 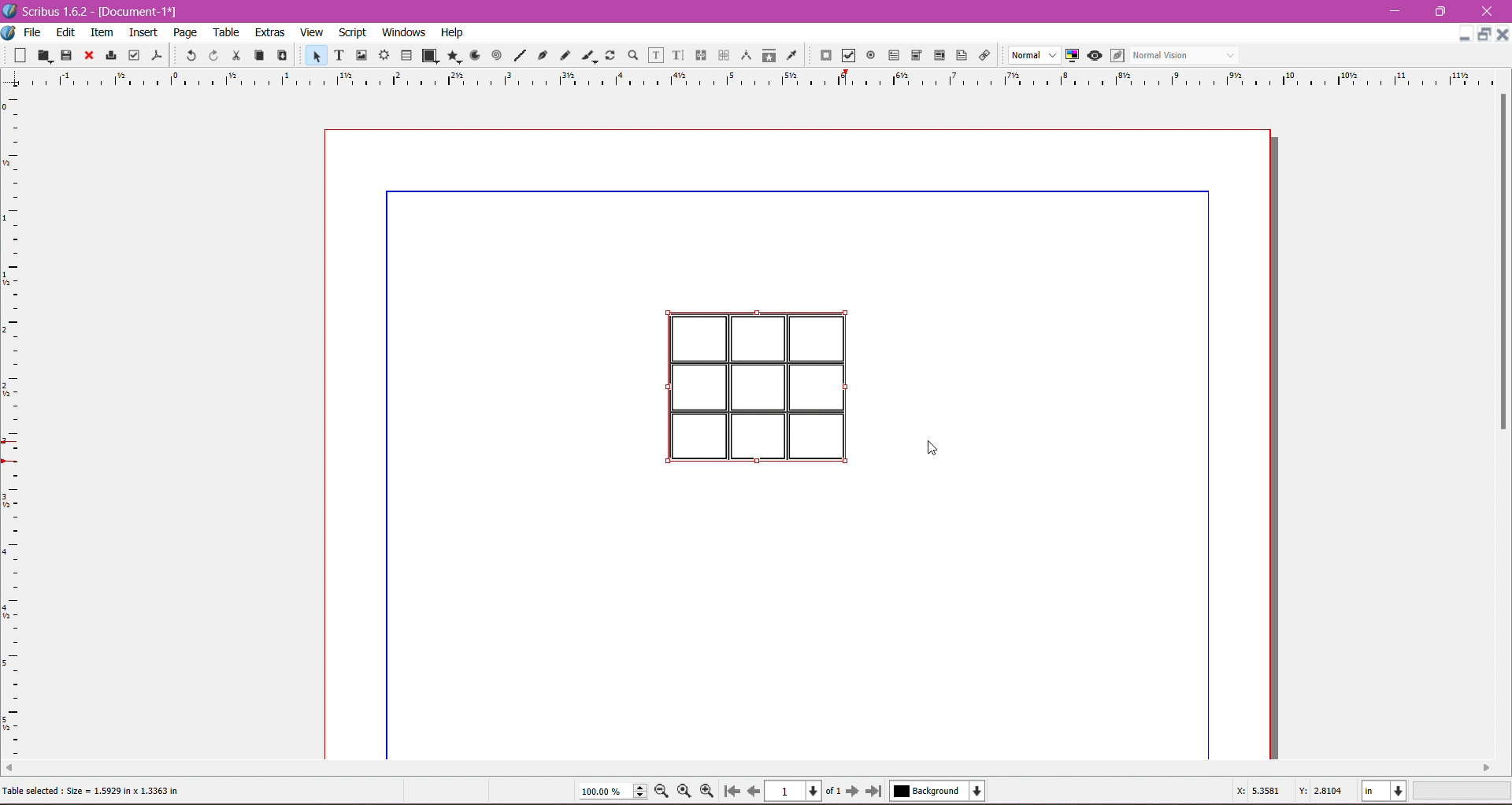 I want to click on Checkbox, so click(x=847, y=57).